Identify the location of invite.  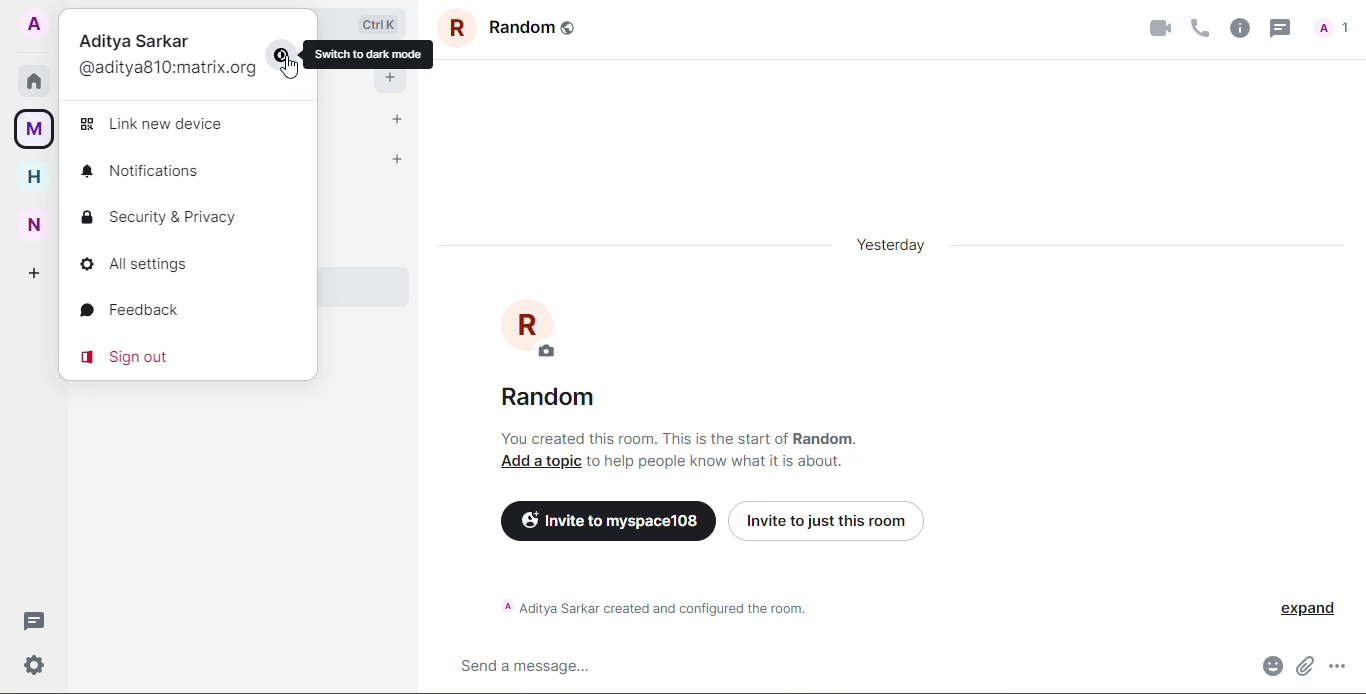
(828, 518).